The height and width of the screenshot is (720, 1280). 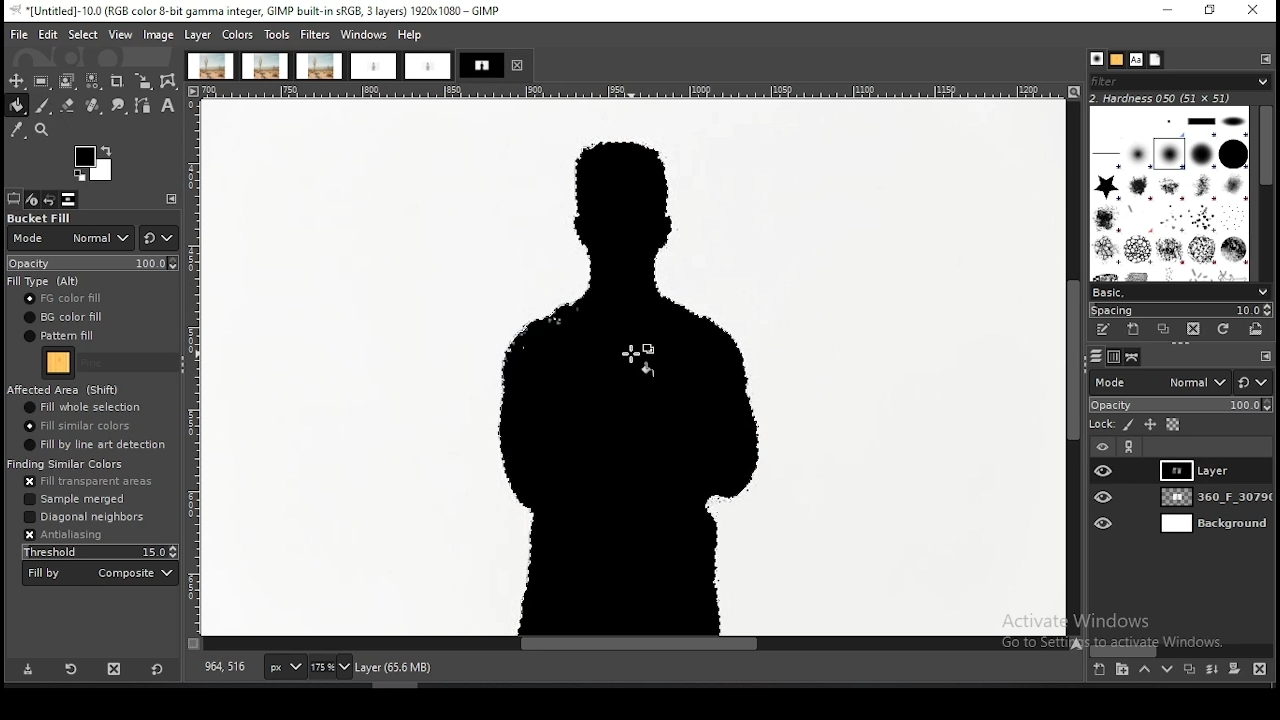 I want to click on brushes, so click(x=1171, y=193).